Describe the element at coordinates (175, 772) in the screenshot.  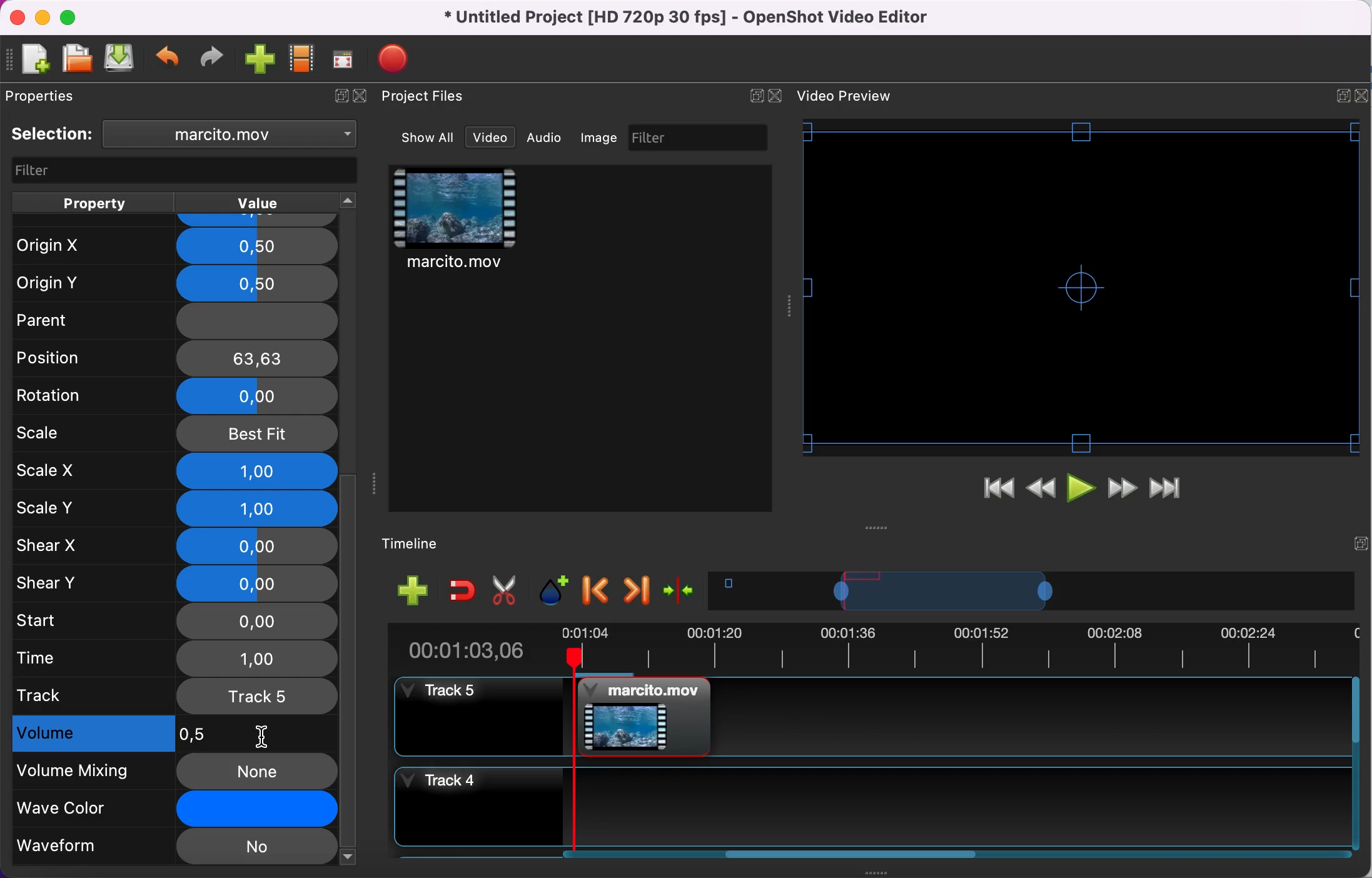
I see `volume mixing none` at that location.